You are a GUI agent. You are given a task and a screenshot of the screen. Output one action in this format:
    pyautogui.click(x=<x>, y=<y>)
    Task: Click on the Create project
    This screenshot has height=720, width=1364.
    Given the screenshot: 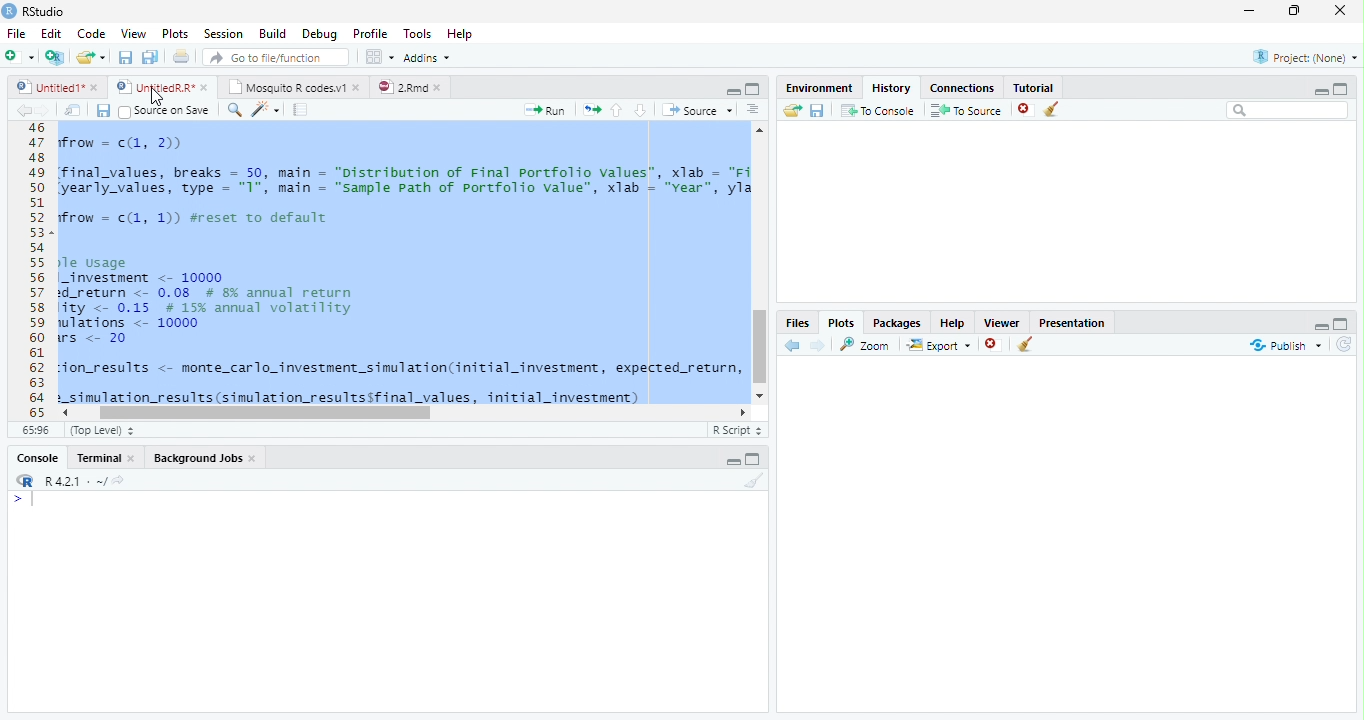 What is the action you would take?
    pyautogui.click(x=54, y=57)
    